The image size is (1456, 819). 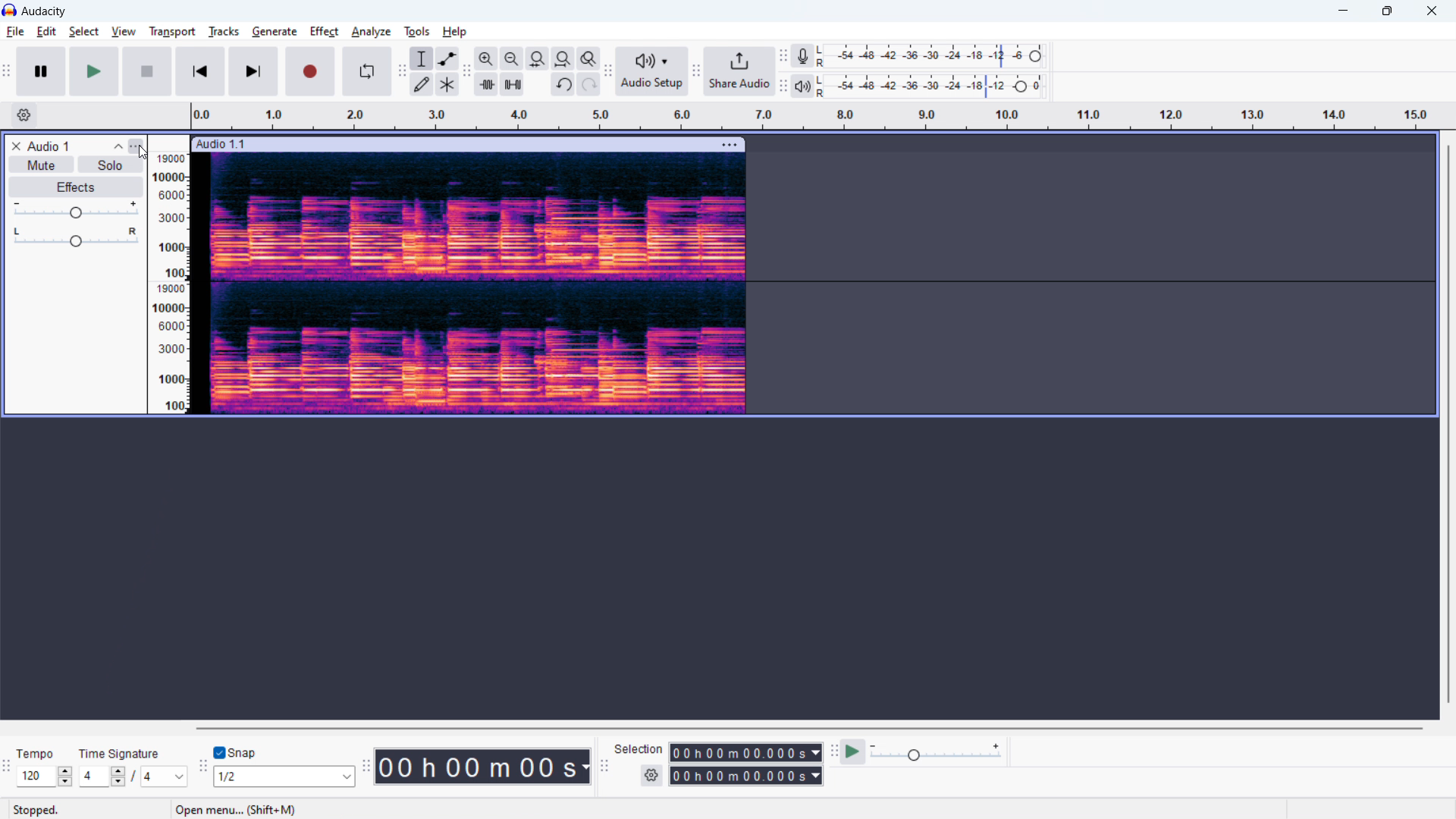 What do you see at coordinates (366, 768) in the screenshot?
I see `time toolbar` at bounding box center [366, 768].